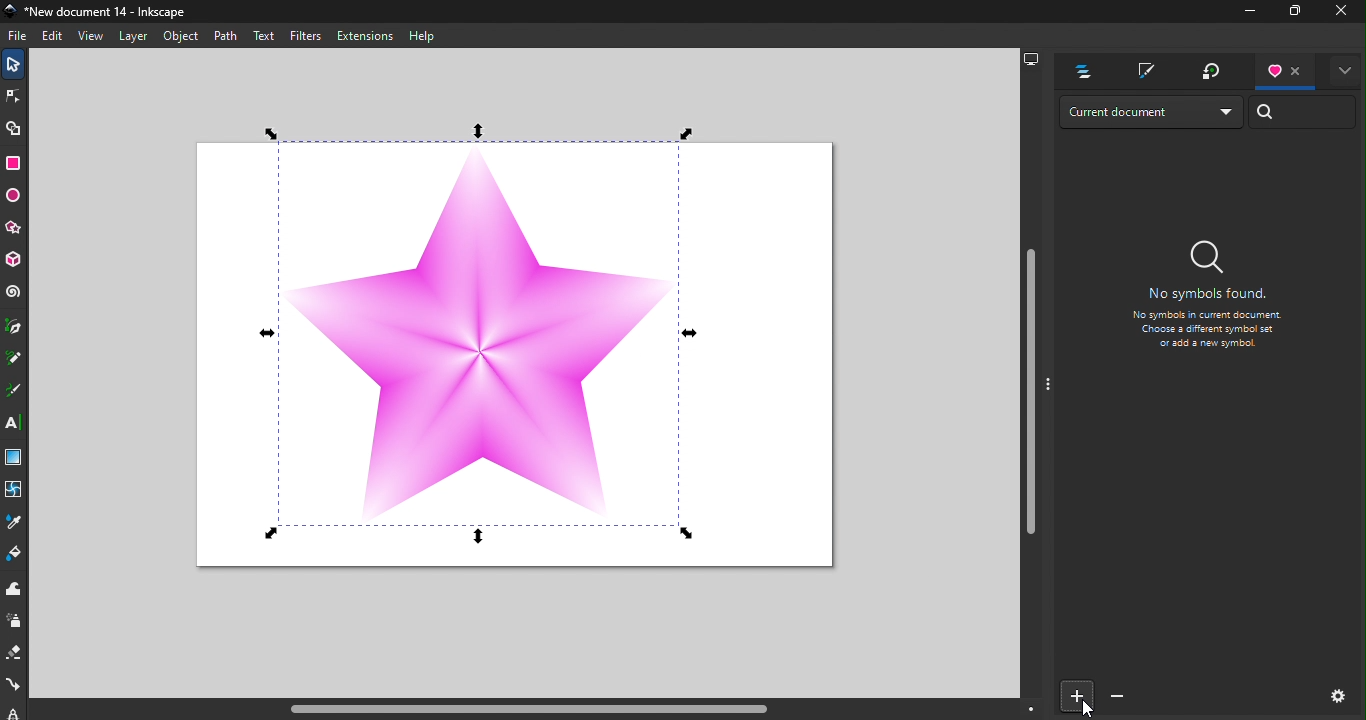 The width and height of the screenshot is (1366, 720). What do you see at coordinates (1294, 69) in the screenshot?
I see `Close tab` at bounding box center [1294, 69].